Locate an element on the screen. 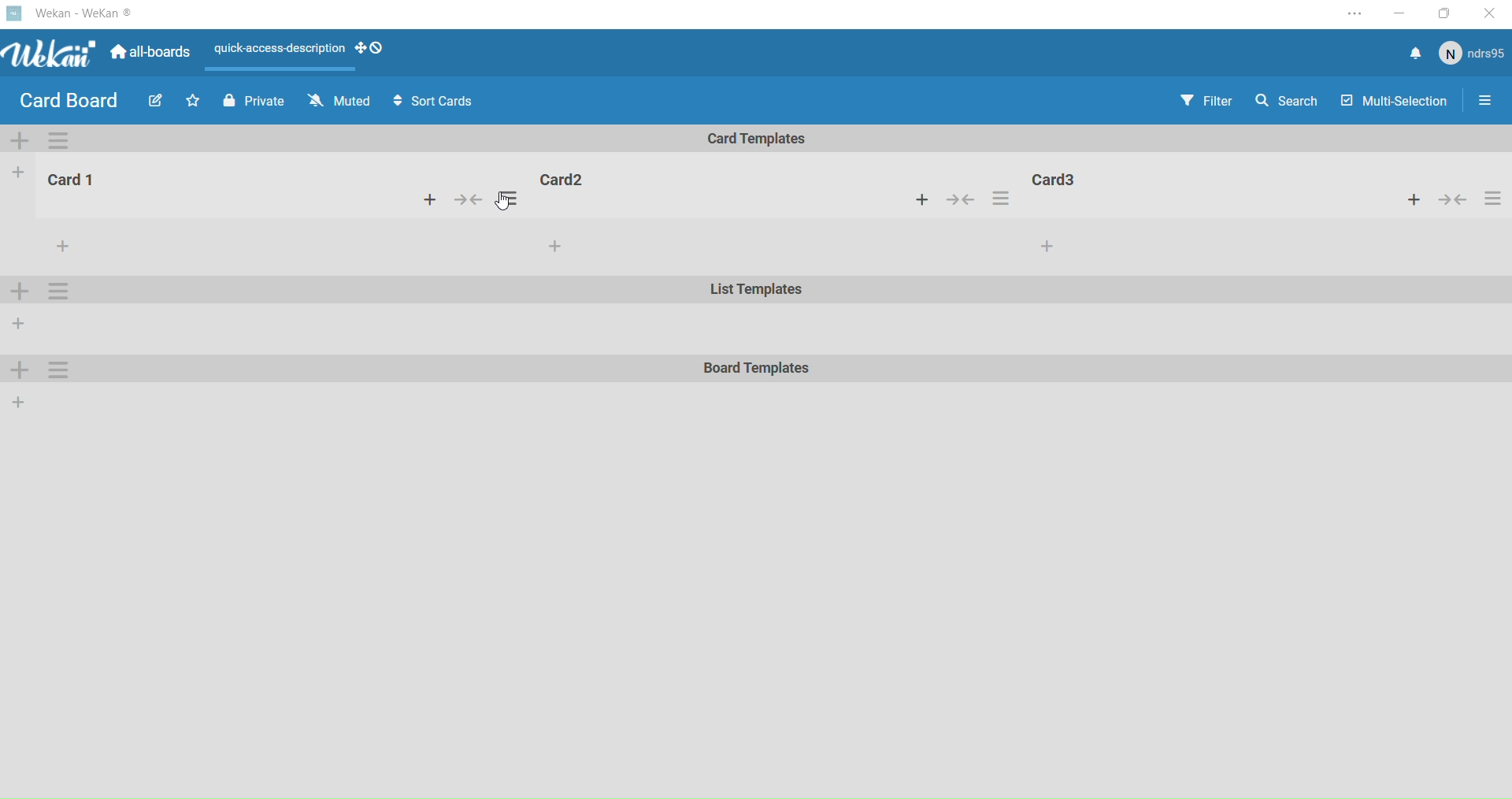  add is located at coordinates (15, 371).